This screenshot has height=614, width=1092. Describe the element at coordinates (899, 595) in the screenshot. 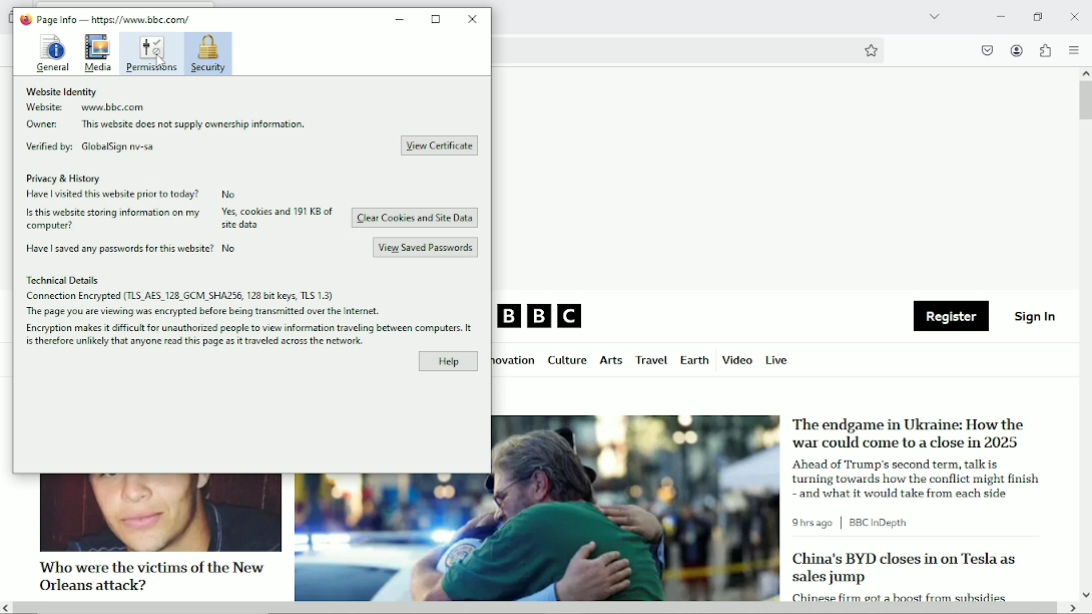

I see `Chinese firm got a boost from subsides` at that location.